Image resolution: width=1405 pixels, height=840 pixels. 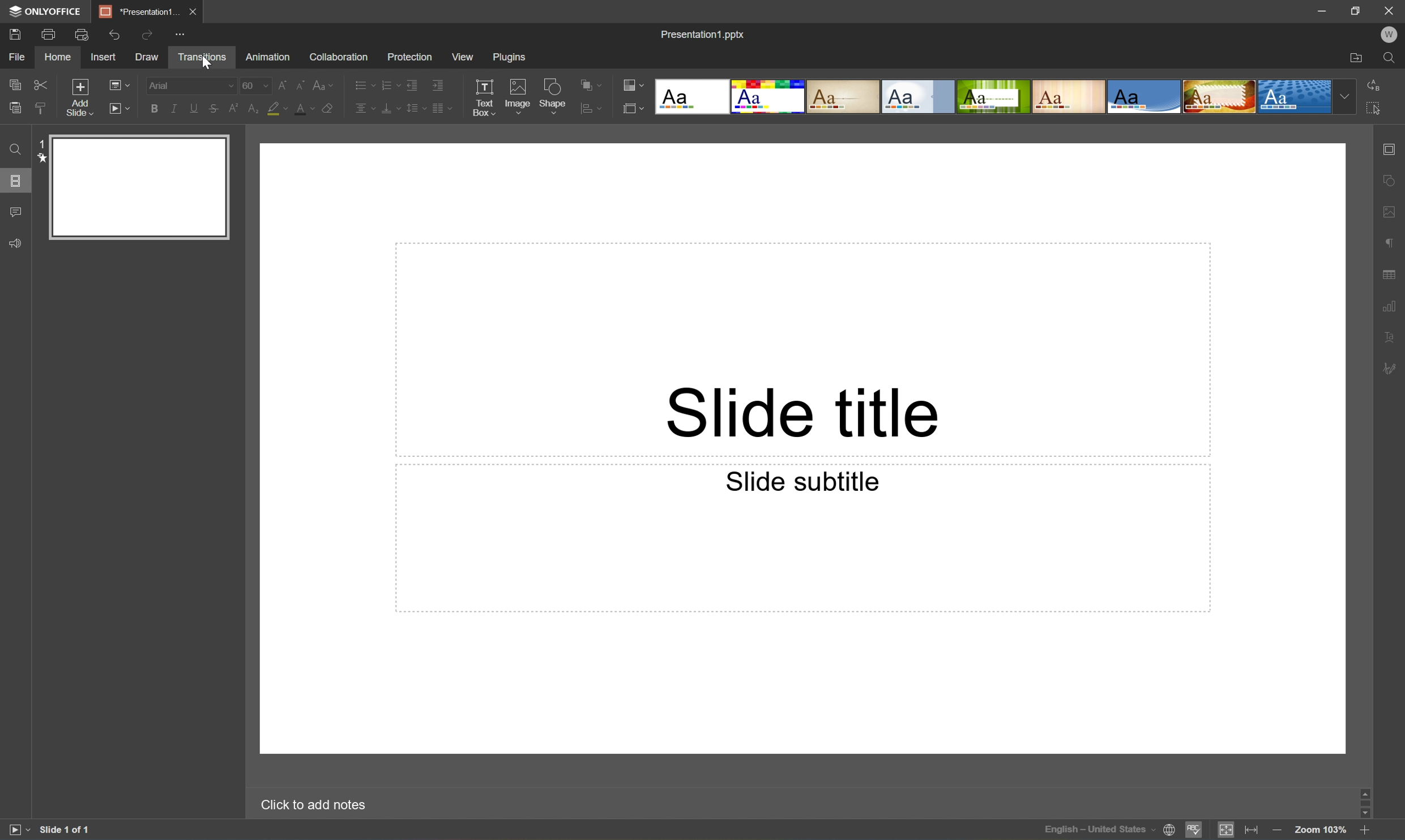 I want to click on Slide subtitle, so click(x=807, y=481).